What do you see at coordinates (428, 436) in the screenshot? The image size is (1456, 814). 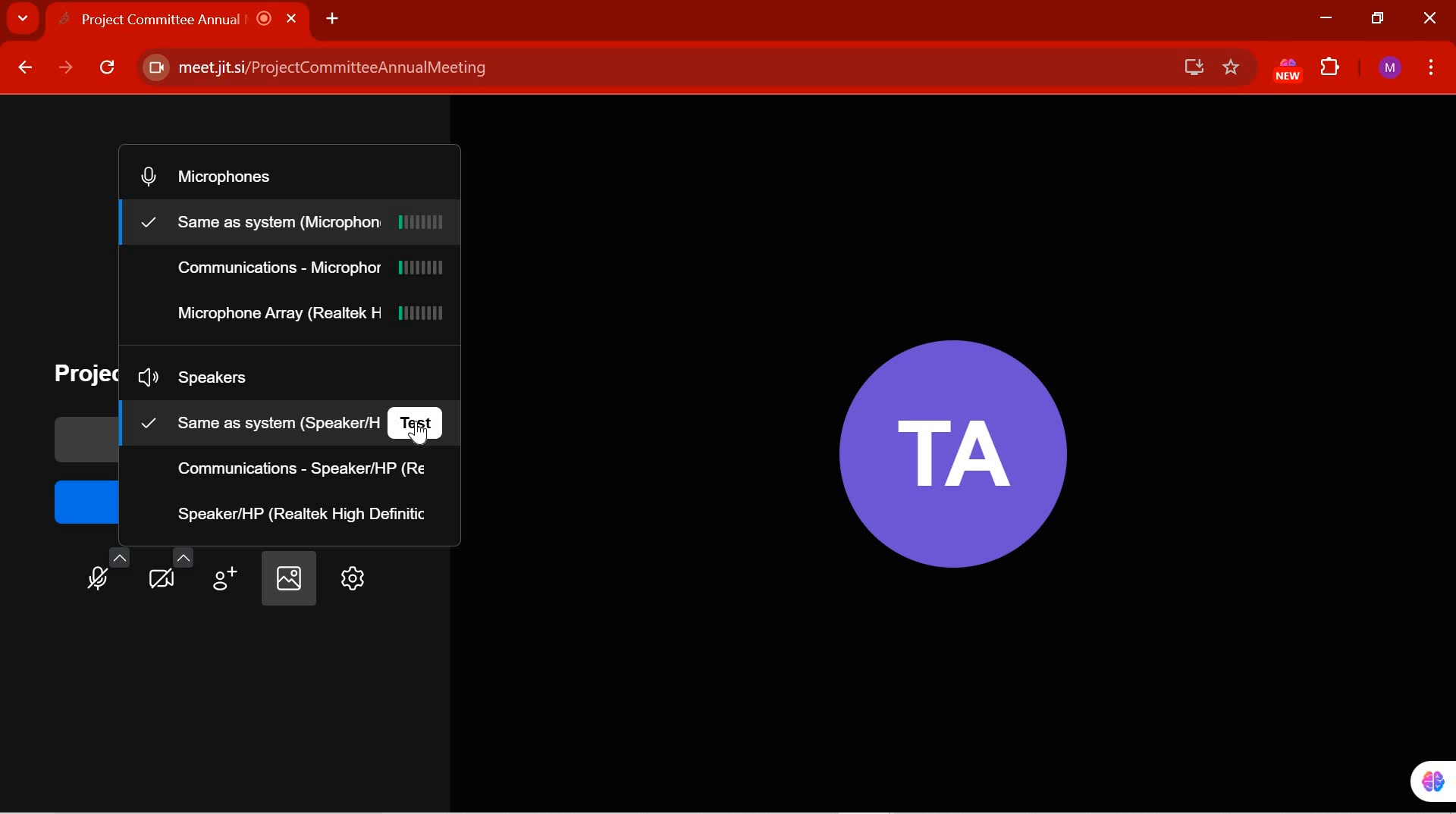 I see `cursor` at bounding box center [428, 436].